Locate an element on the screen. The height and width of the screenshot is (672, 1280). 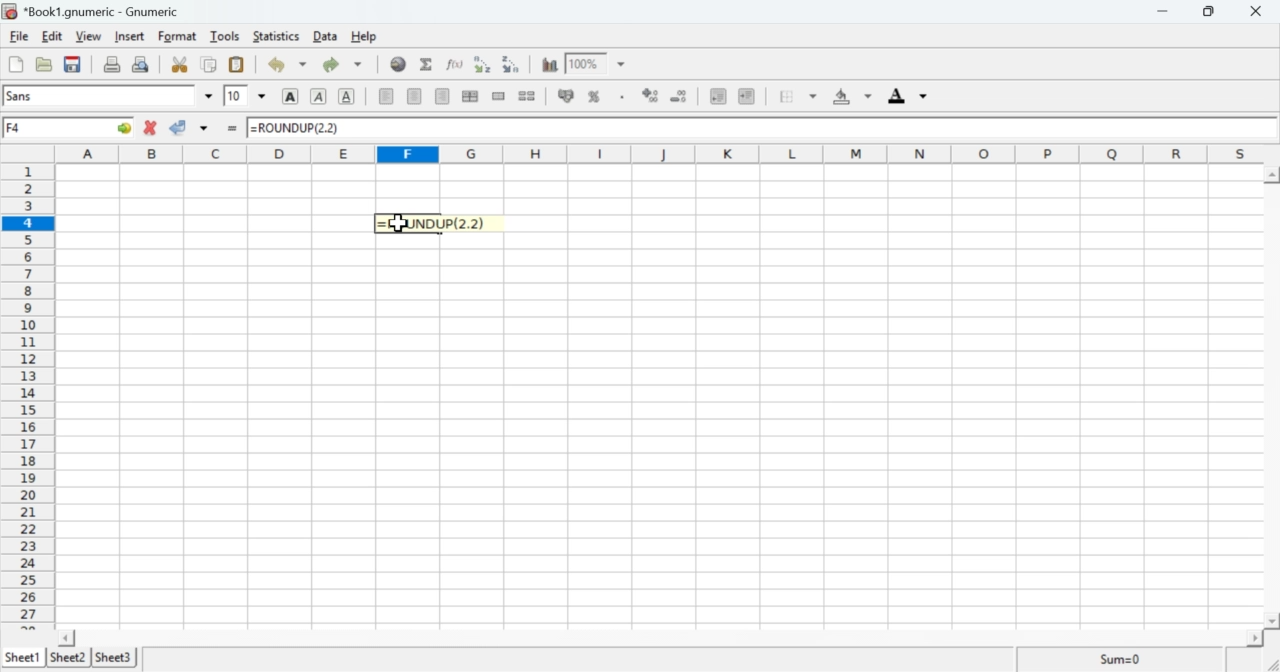
Accept change is located at coordinates (180, 125).